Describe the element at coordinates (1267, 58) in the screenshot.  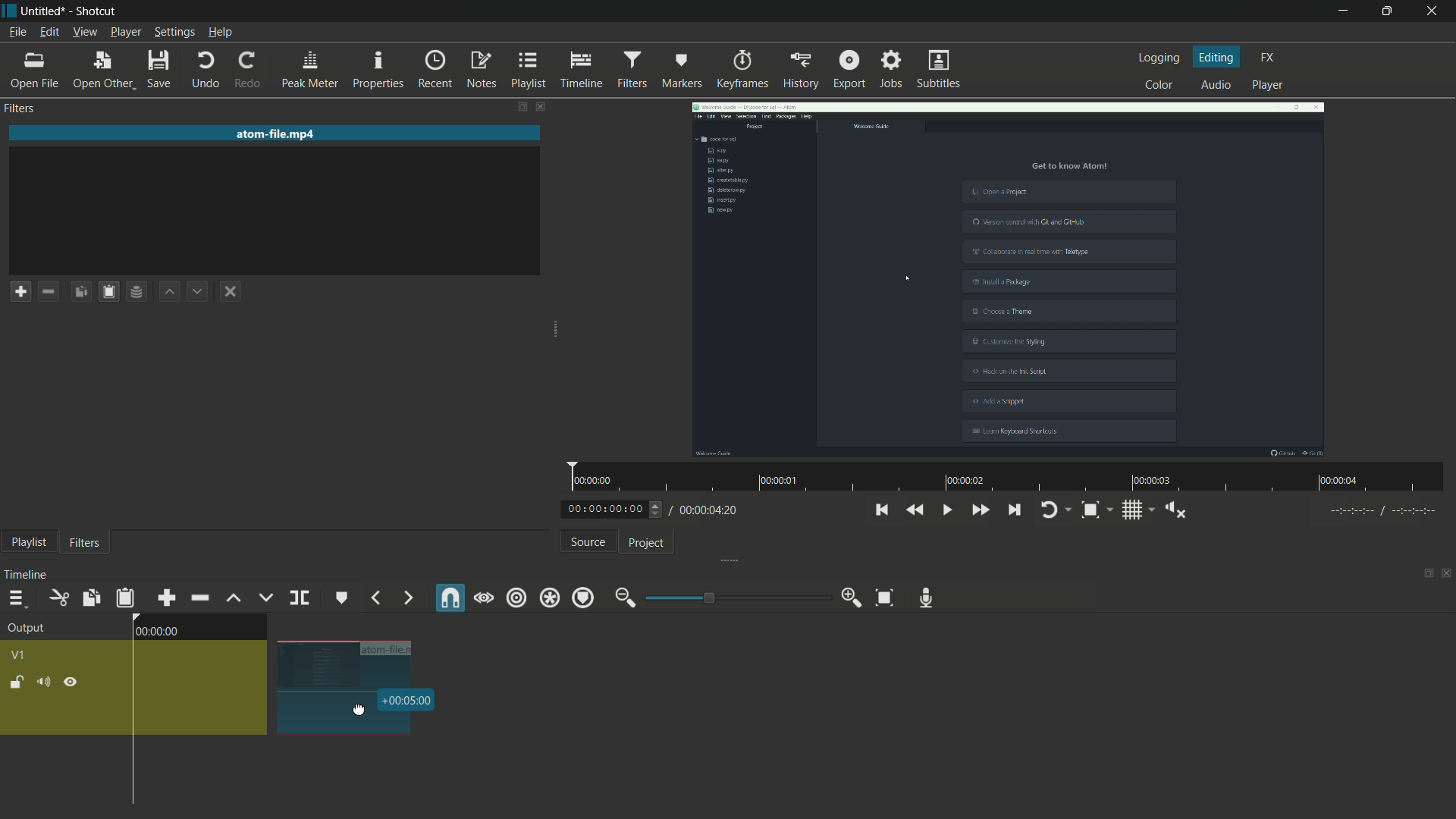
I see `fx` at that location.